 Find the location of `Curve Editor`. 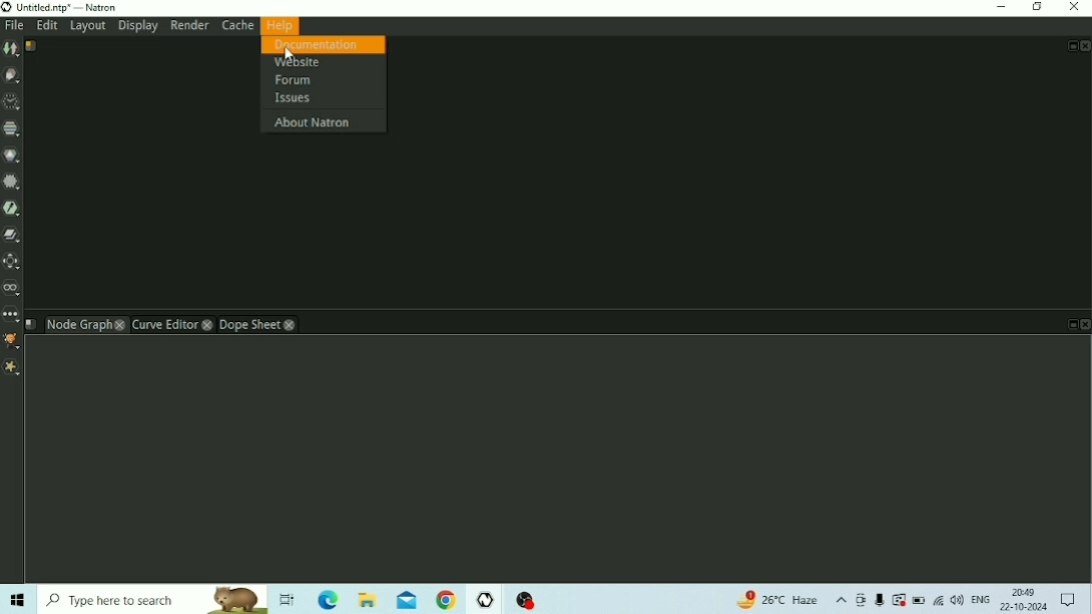

Curve Editor is located at coordinates (172, 324).